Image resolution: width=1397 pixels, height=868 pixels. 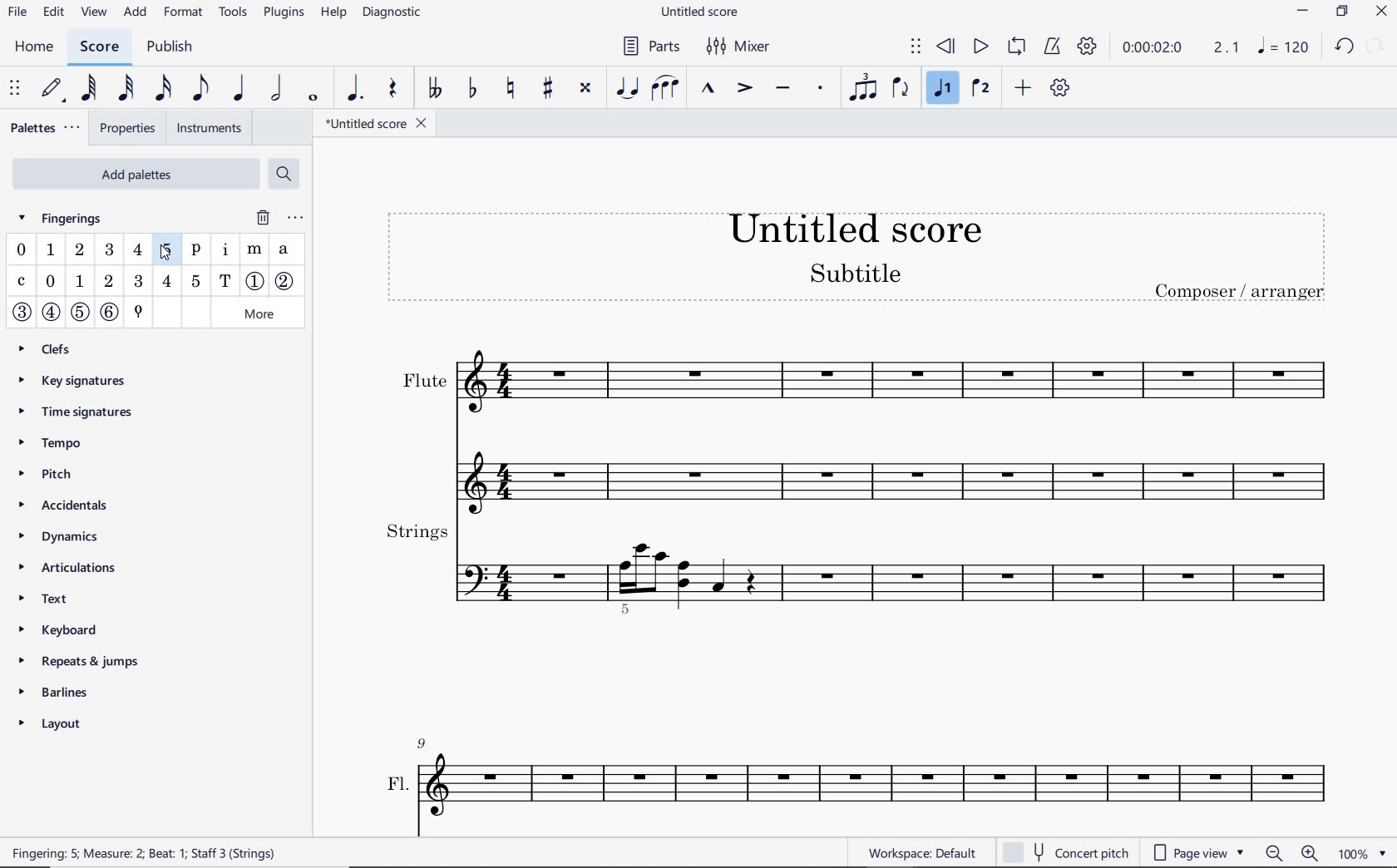 I want to click on eighth note, so click(x=199, y=88).